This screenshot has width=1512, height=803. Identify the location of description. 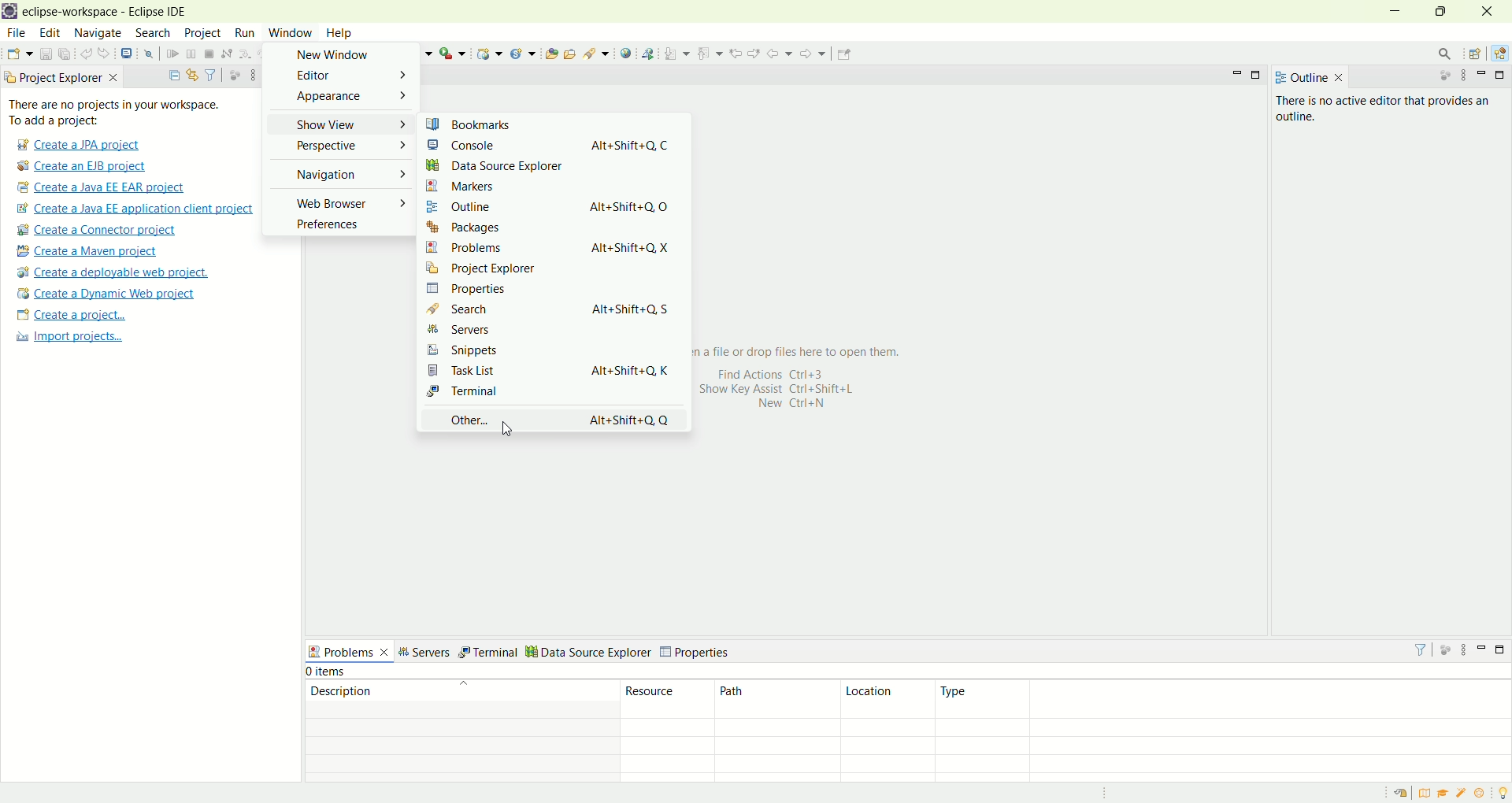
(459, 690).